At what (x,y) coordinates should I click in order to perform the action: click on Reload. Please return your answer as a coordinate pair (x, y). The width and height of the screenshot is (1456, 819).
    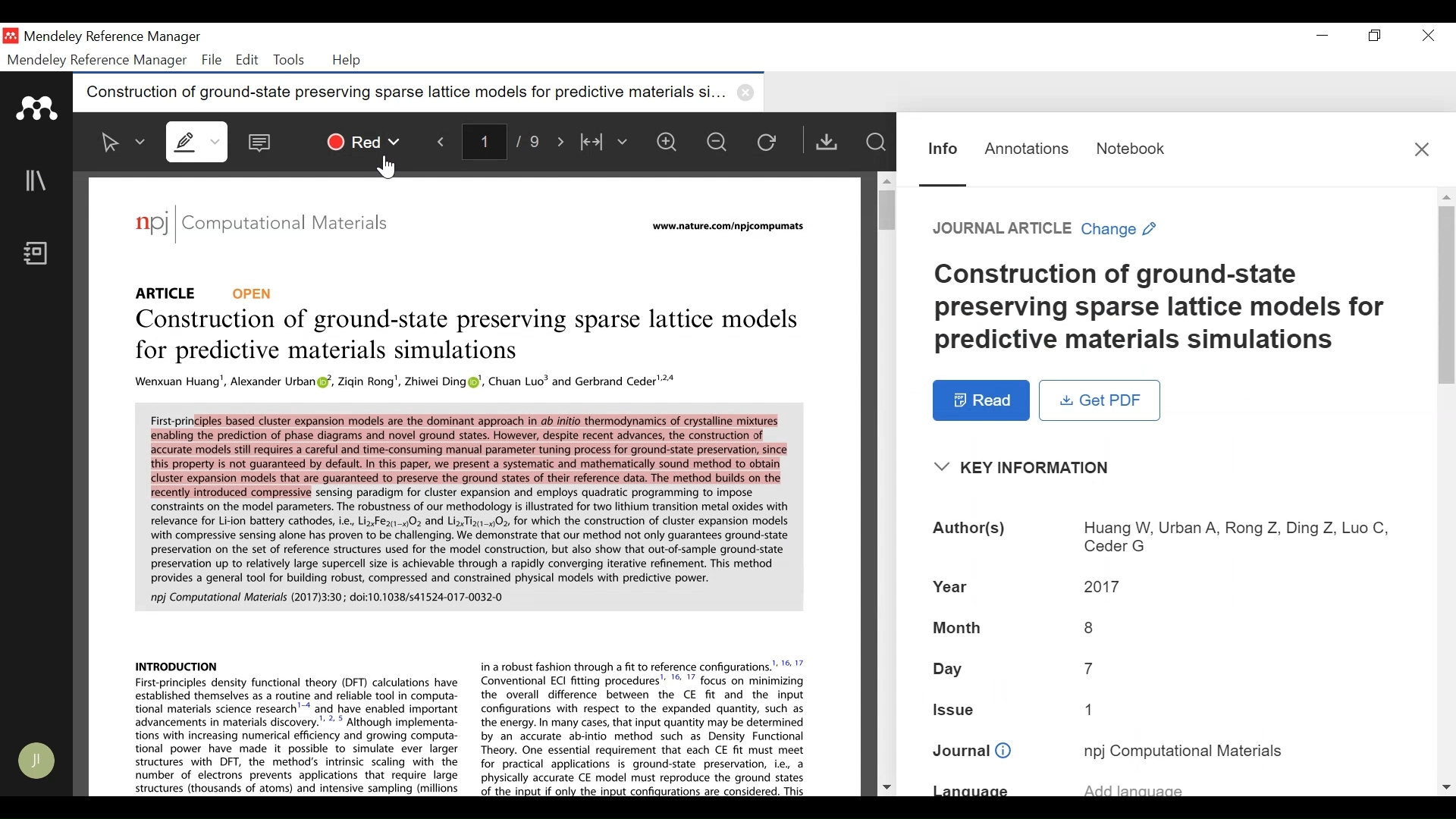
    Looking at the image, I should click on (771, 143).